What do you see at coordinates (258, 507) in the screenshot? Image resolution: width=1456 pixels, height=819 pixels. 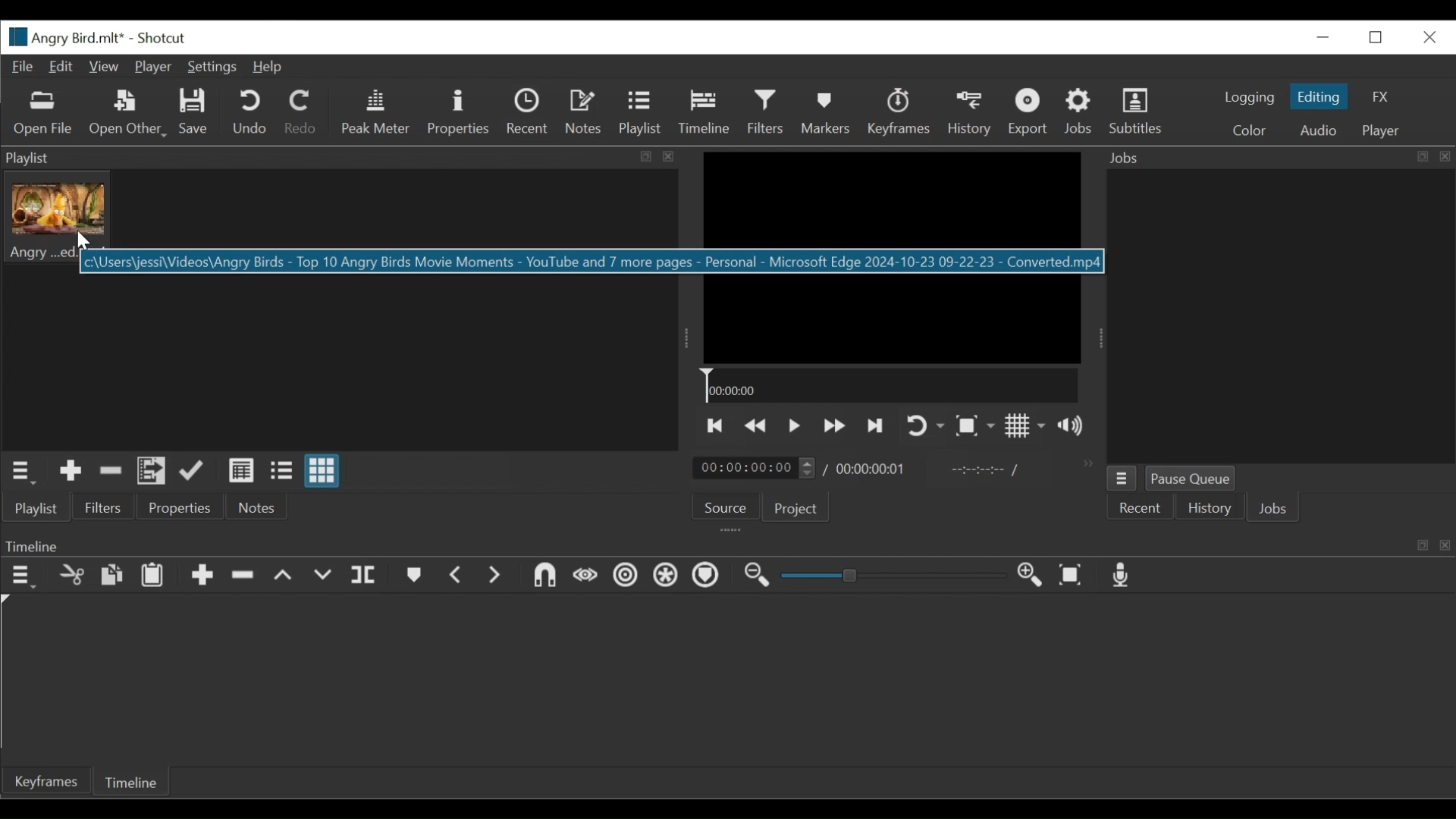 I see `Notes` at bounding box center [258, 507].